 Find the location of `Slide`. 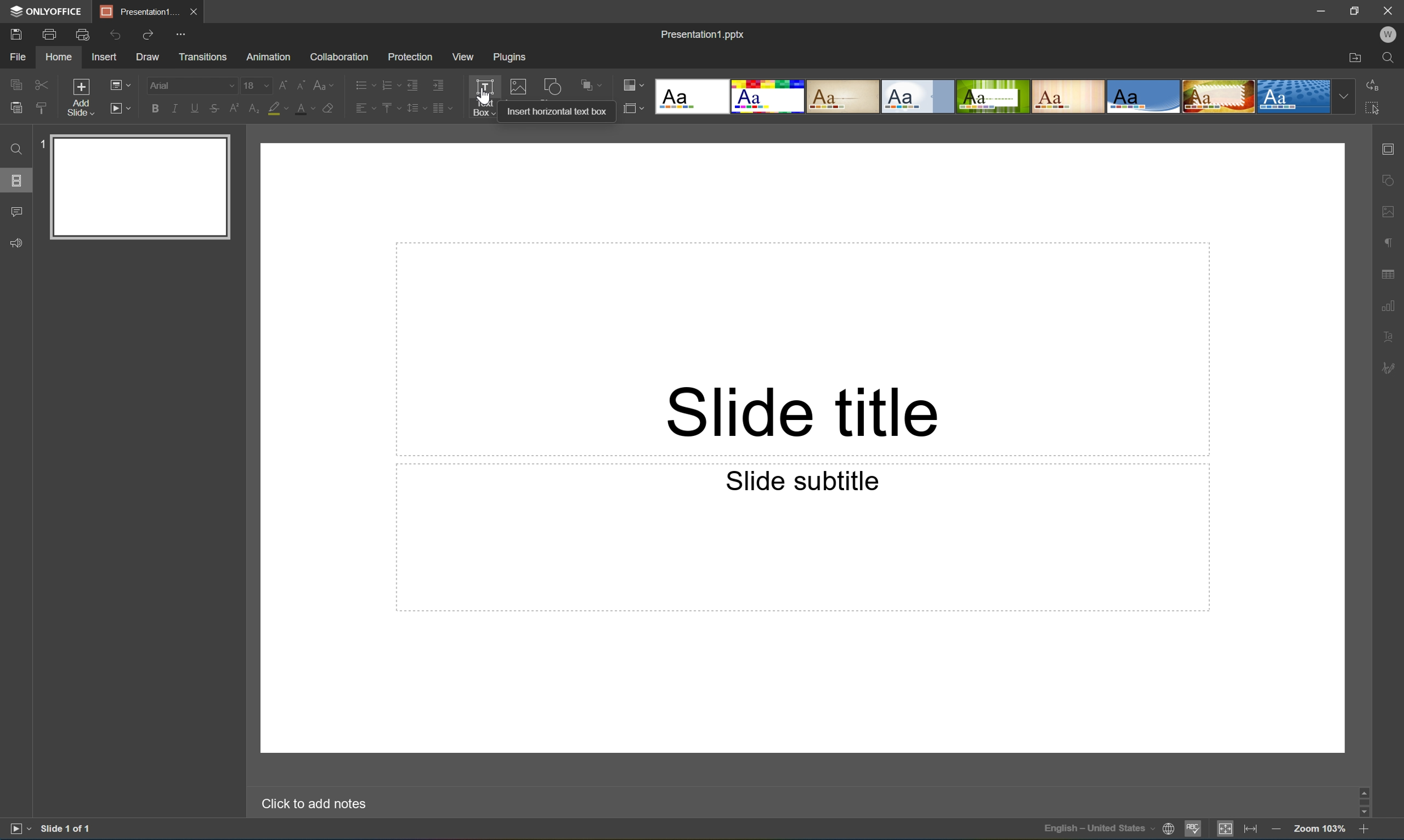

Slide is located at coordinates (142, 187).